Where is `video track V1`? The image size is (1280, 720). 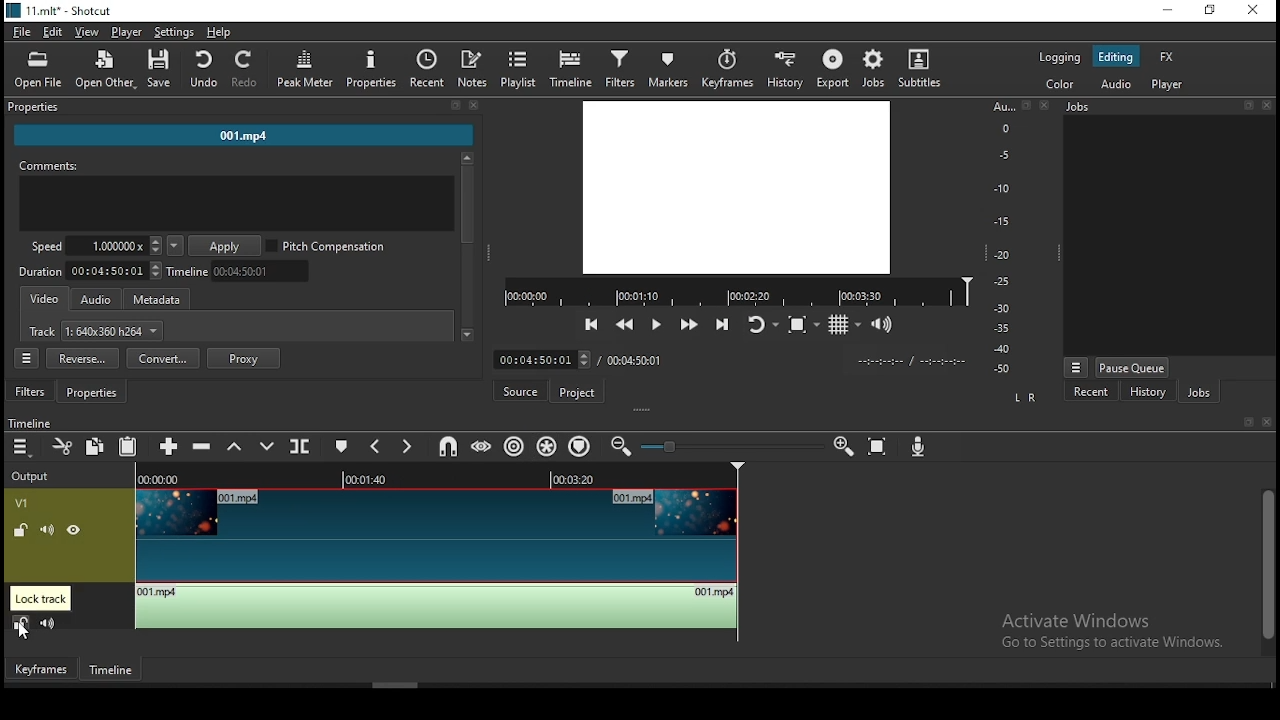
video track V1 is located at coordinates (441, 535).